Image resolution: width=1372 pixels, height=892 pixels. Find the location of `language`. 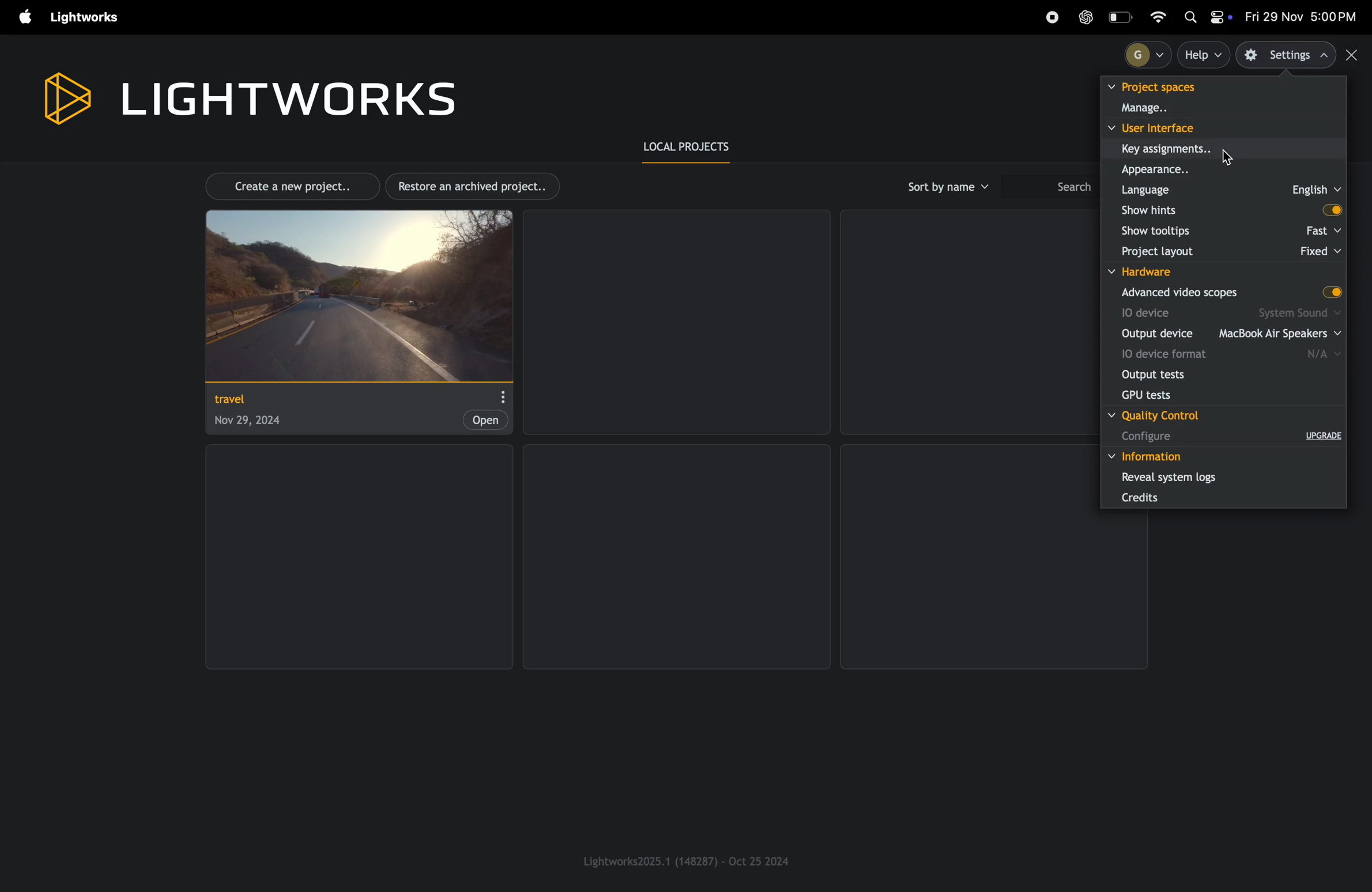

language is located at coordinates (1167, 192).